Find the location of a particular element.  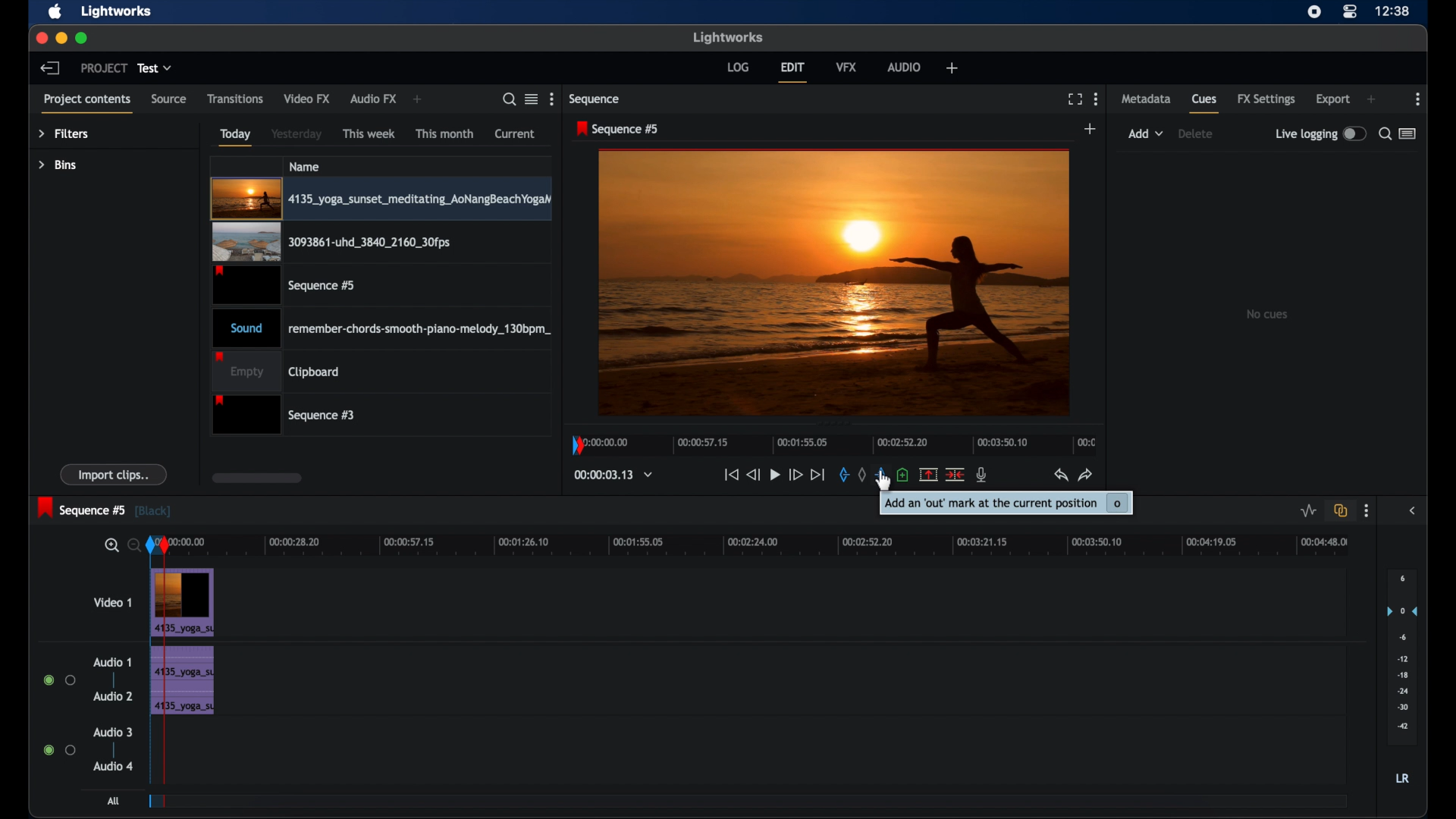

source is located at coordinates (168, 99).